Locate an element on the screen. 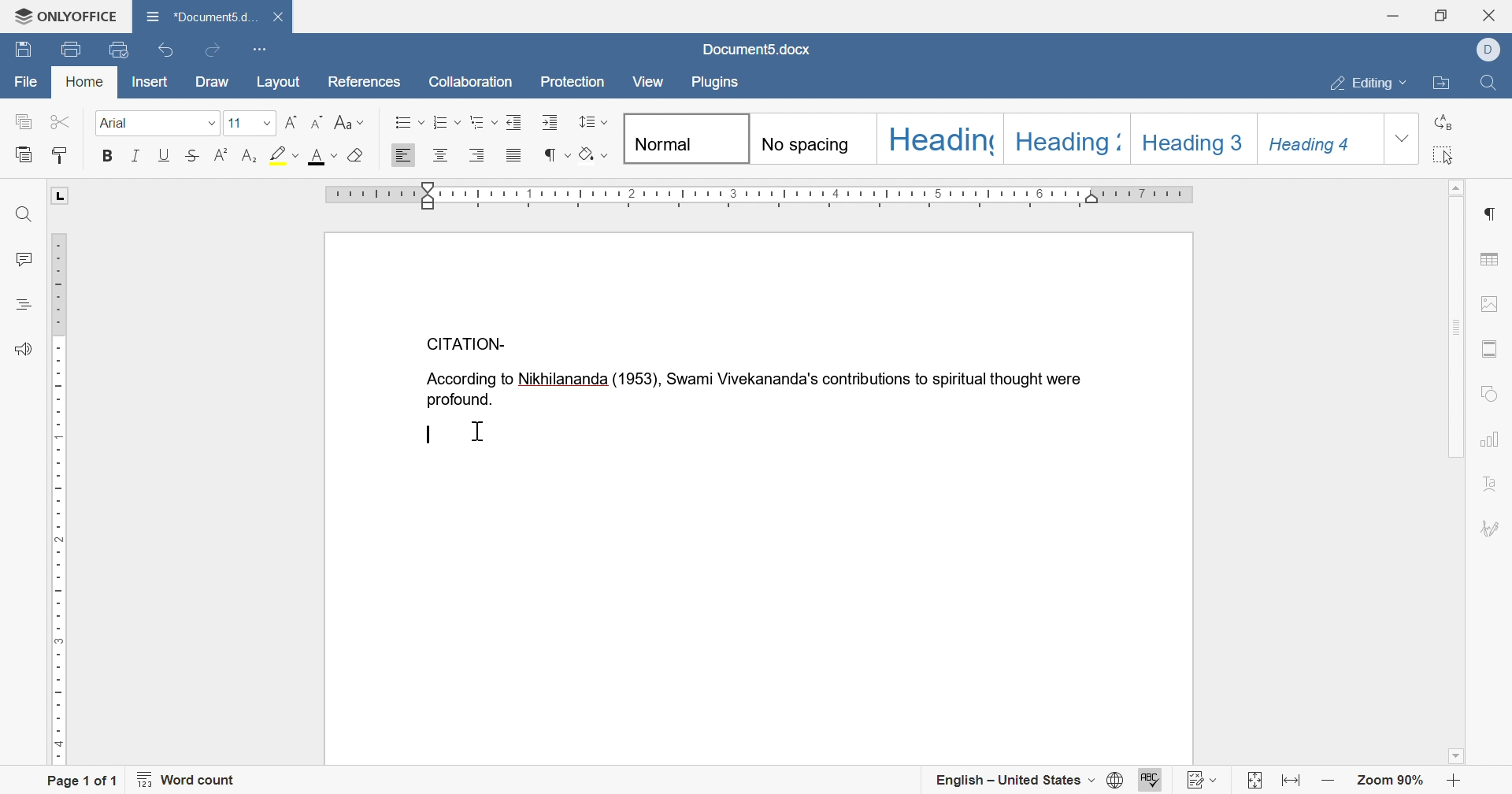 The height and width of the screenshot is (794, 1512). multilevel list is located at coordinates (480, 119).